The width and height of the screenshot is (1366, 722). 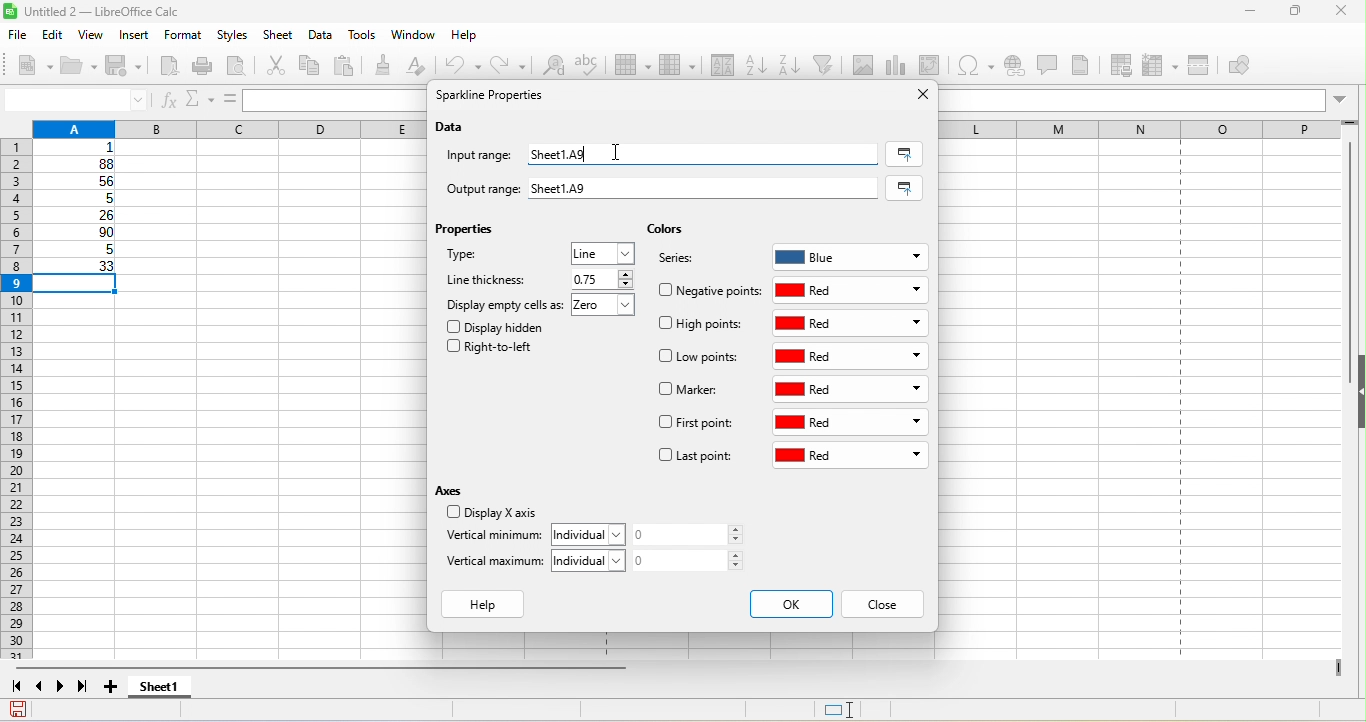 What do you see at coordinates (790, 604) in the screenshot?
I see `ok` at bounding box center [790, 604].